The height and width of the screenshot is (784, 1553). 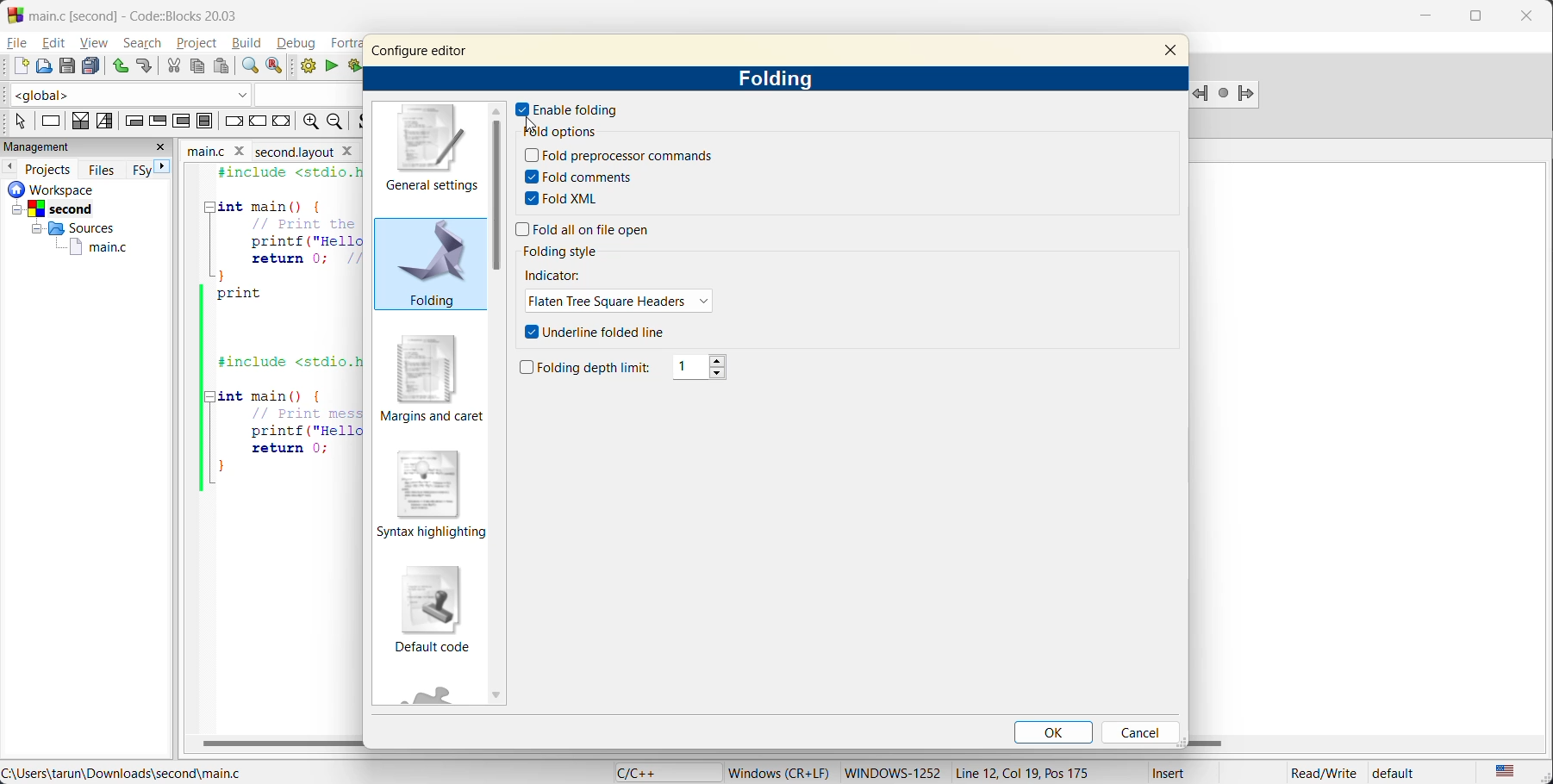 I want to click on fortran, so click(x=346, y=42).